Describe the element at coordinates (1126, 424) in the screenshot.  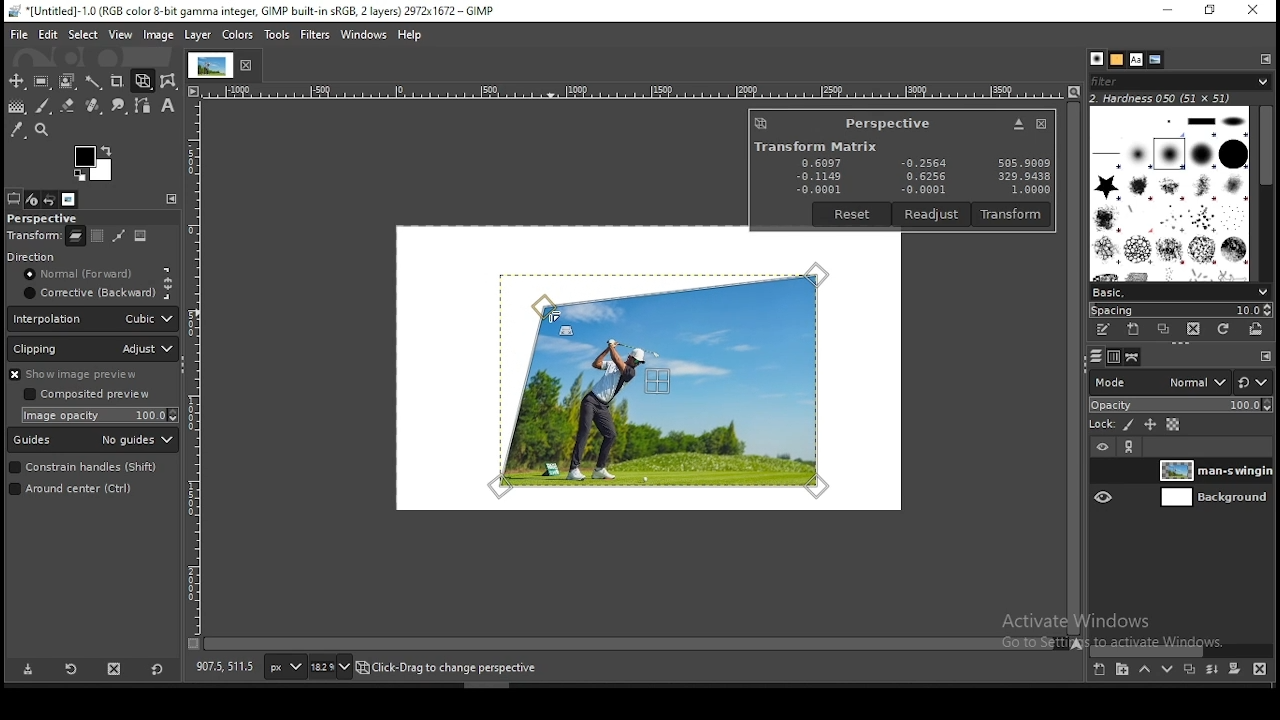
I see `lock pixels` at that location.